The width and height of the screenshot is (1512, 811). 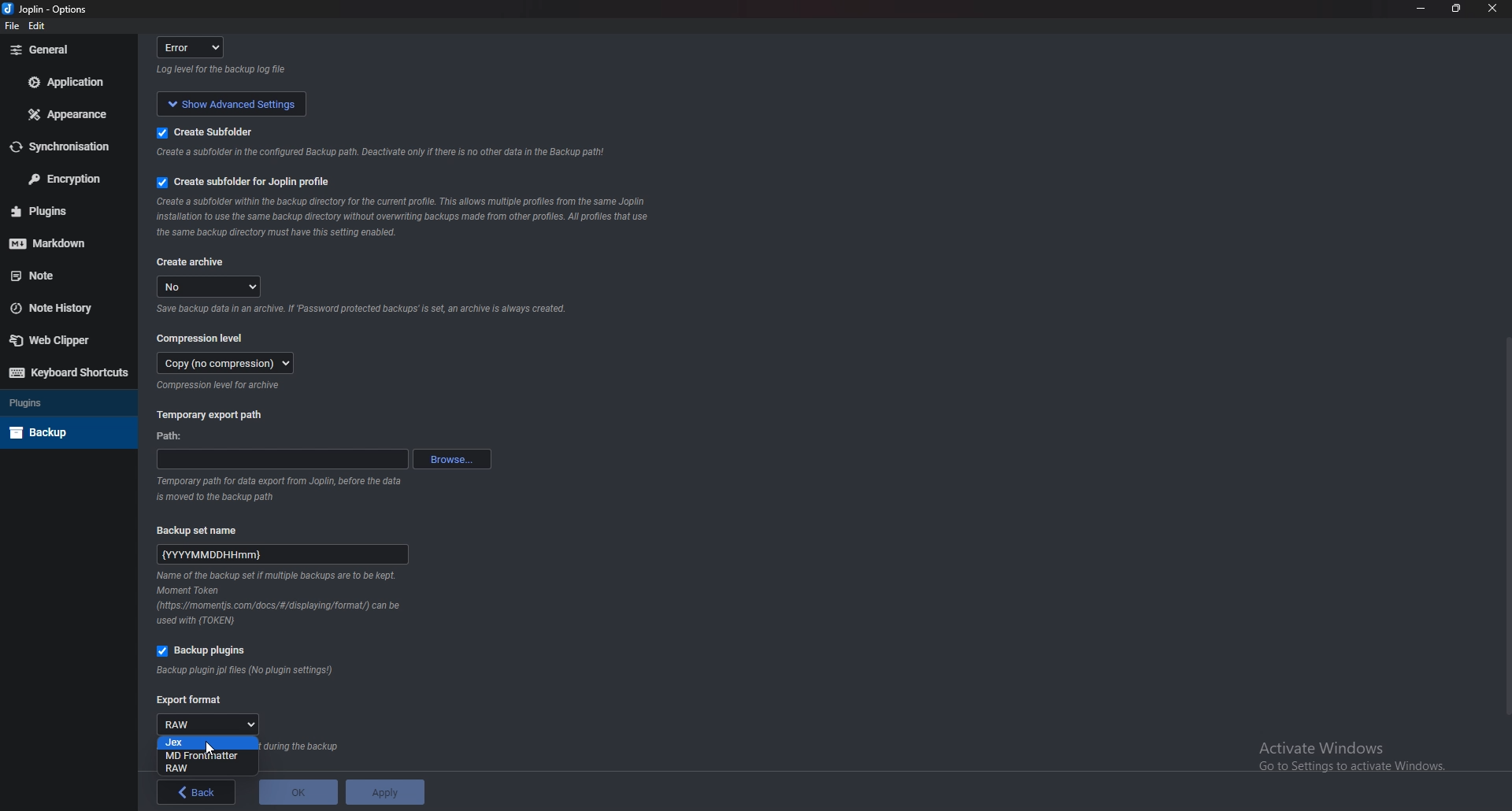 I want to click on copy (no compression), so click(x=226, y=363).